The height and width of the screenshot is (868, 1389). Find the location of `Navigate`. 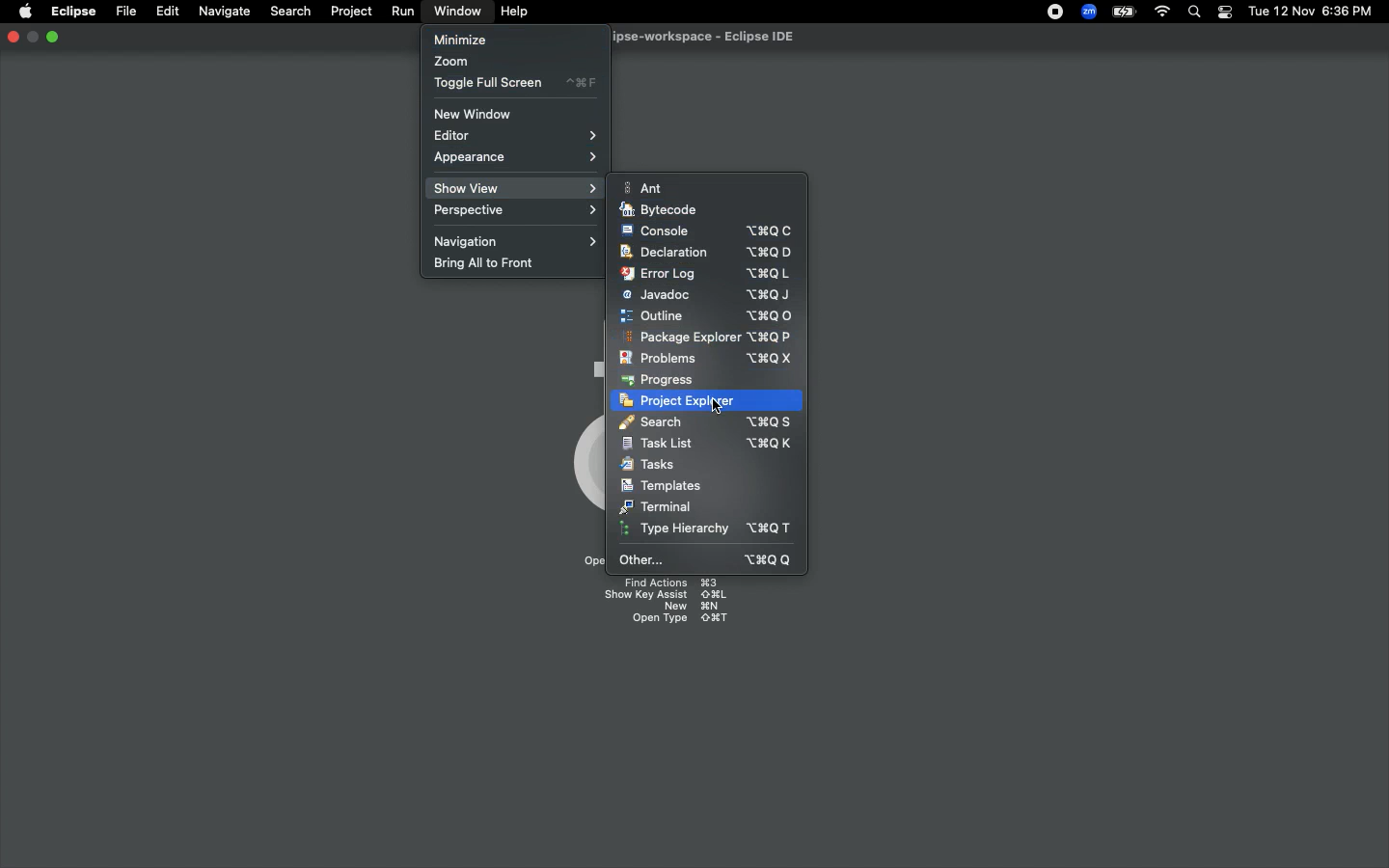

Navigate is located at coordinates (226, 12).